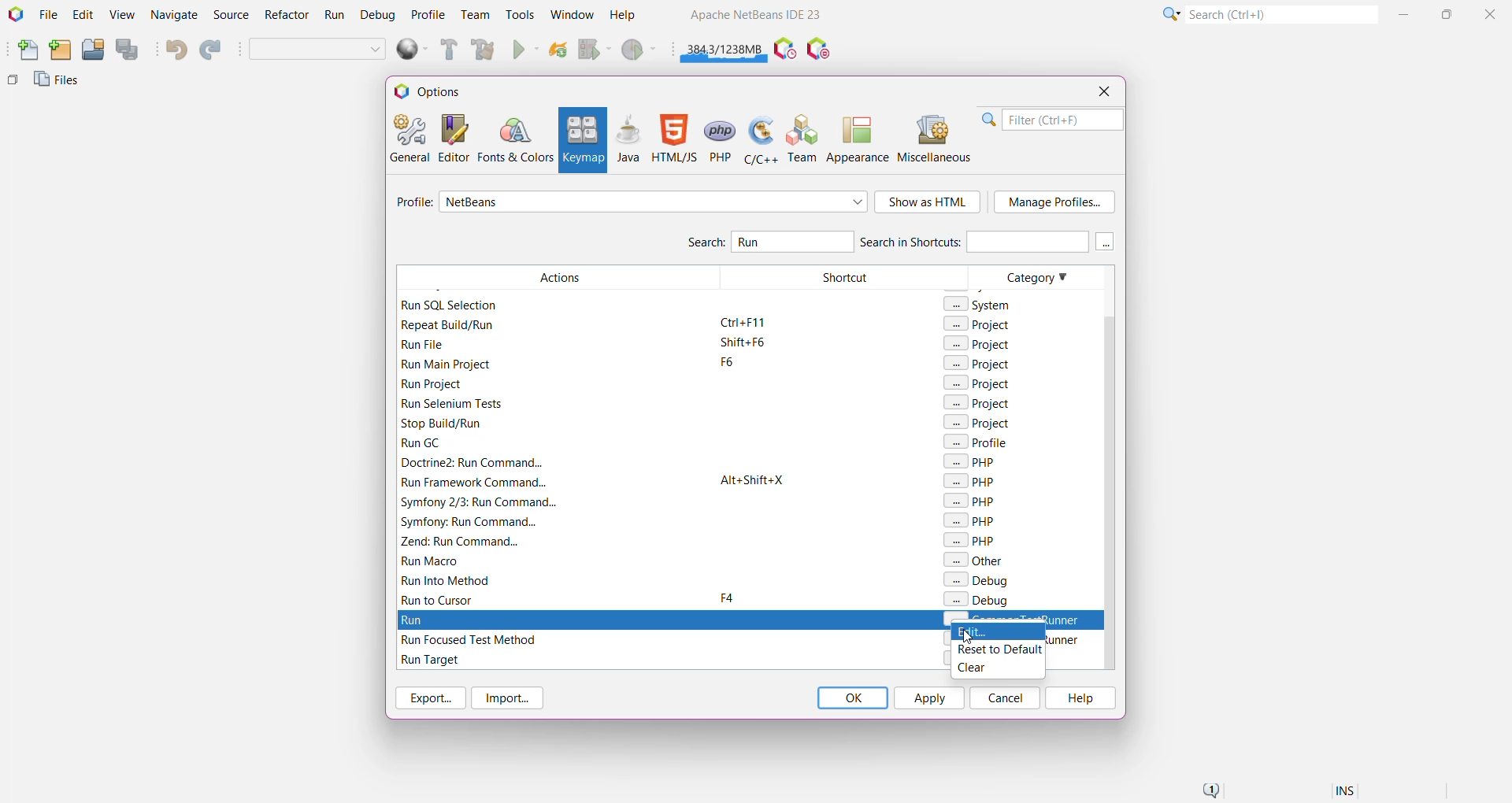 The image size is (1512, 803). What do you see at coordinates (435, 91) in the screenshot?
I see `Options` at bounding box center [435, 91].